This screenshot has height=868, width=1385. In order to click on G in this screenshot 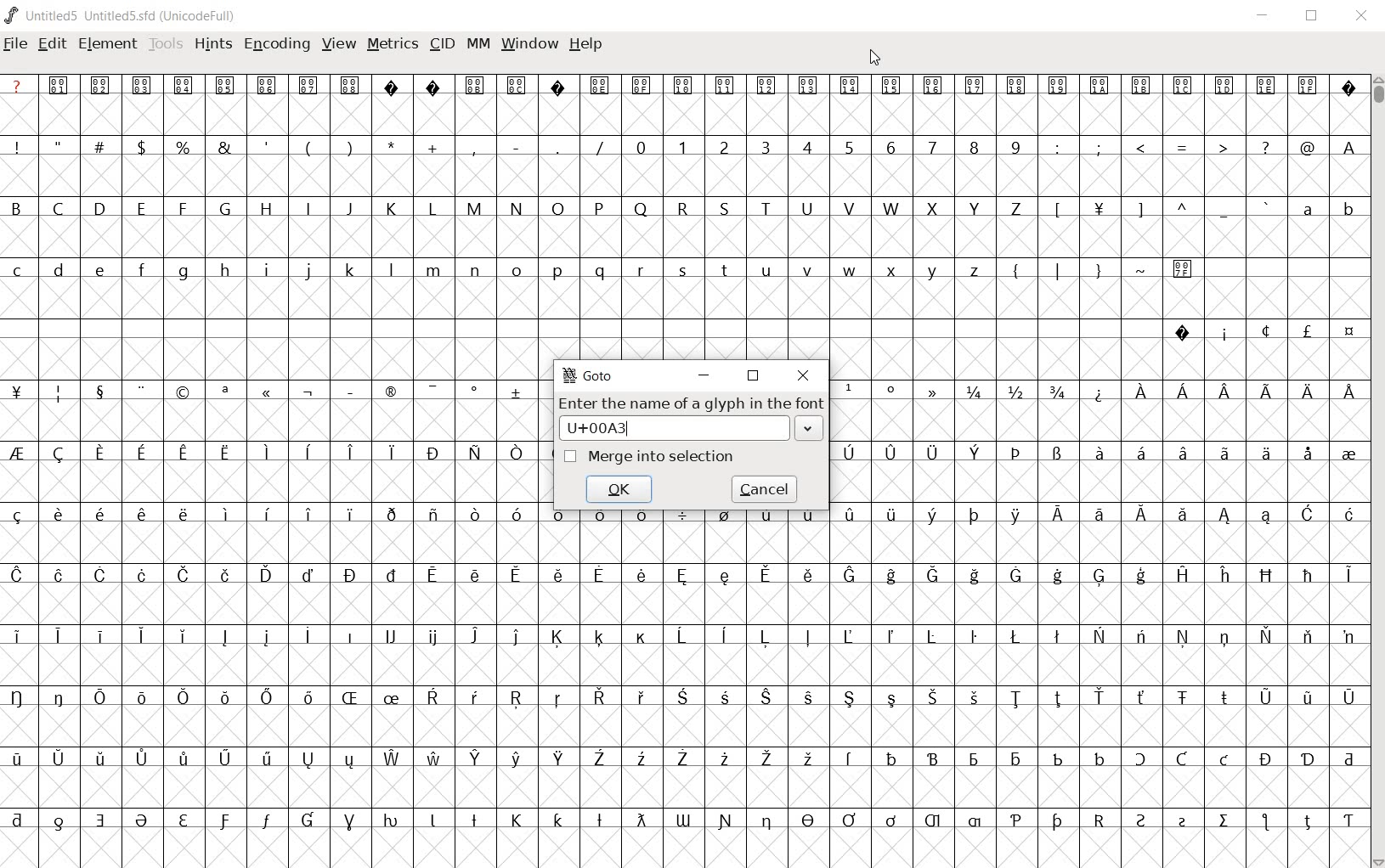, I will do `click(223, 208)`.